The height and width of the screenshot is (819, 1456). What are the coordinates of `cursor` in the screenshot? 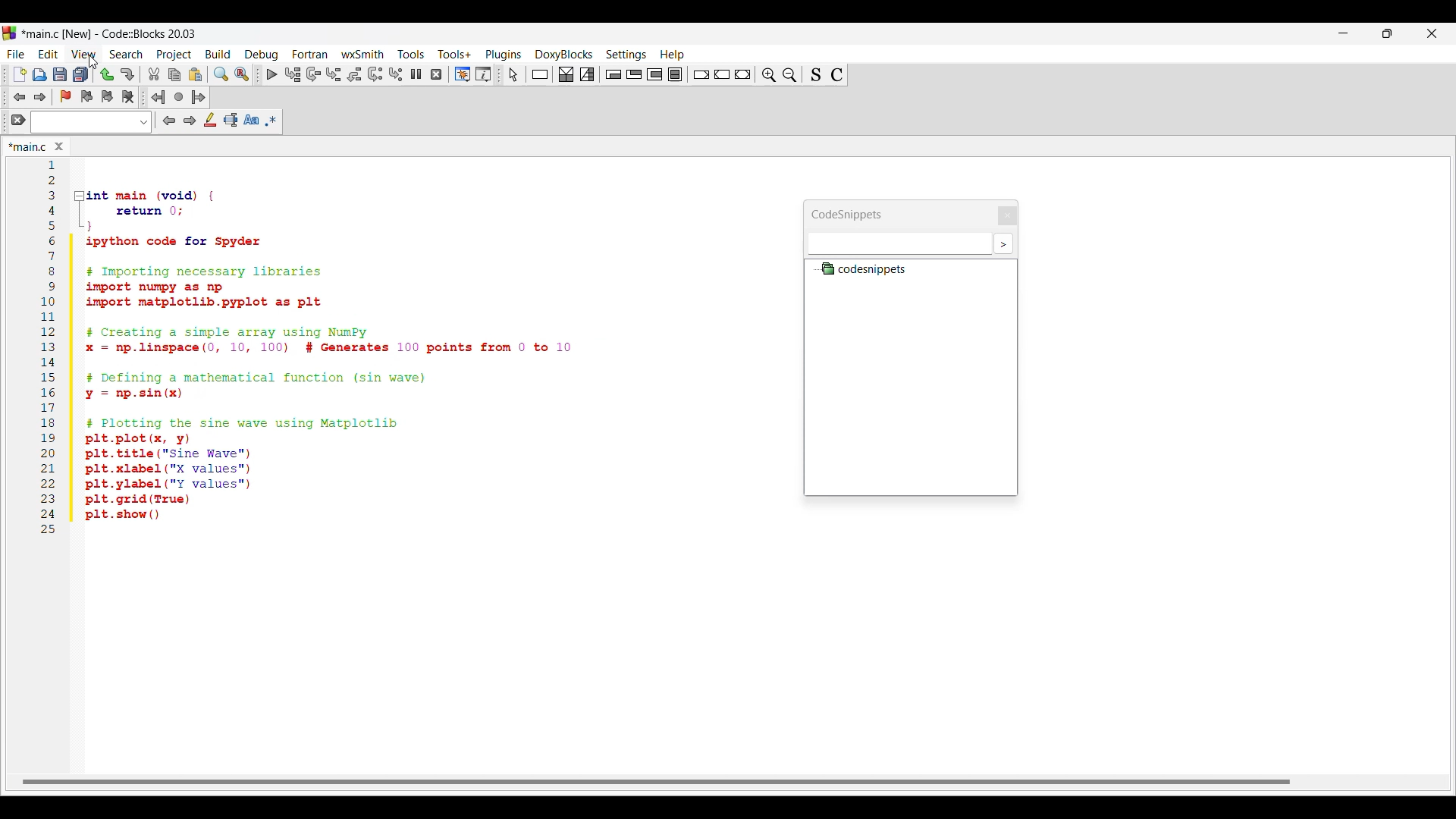 It's located at (91, 61).